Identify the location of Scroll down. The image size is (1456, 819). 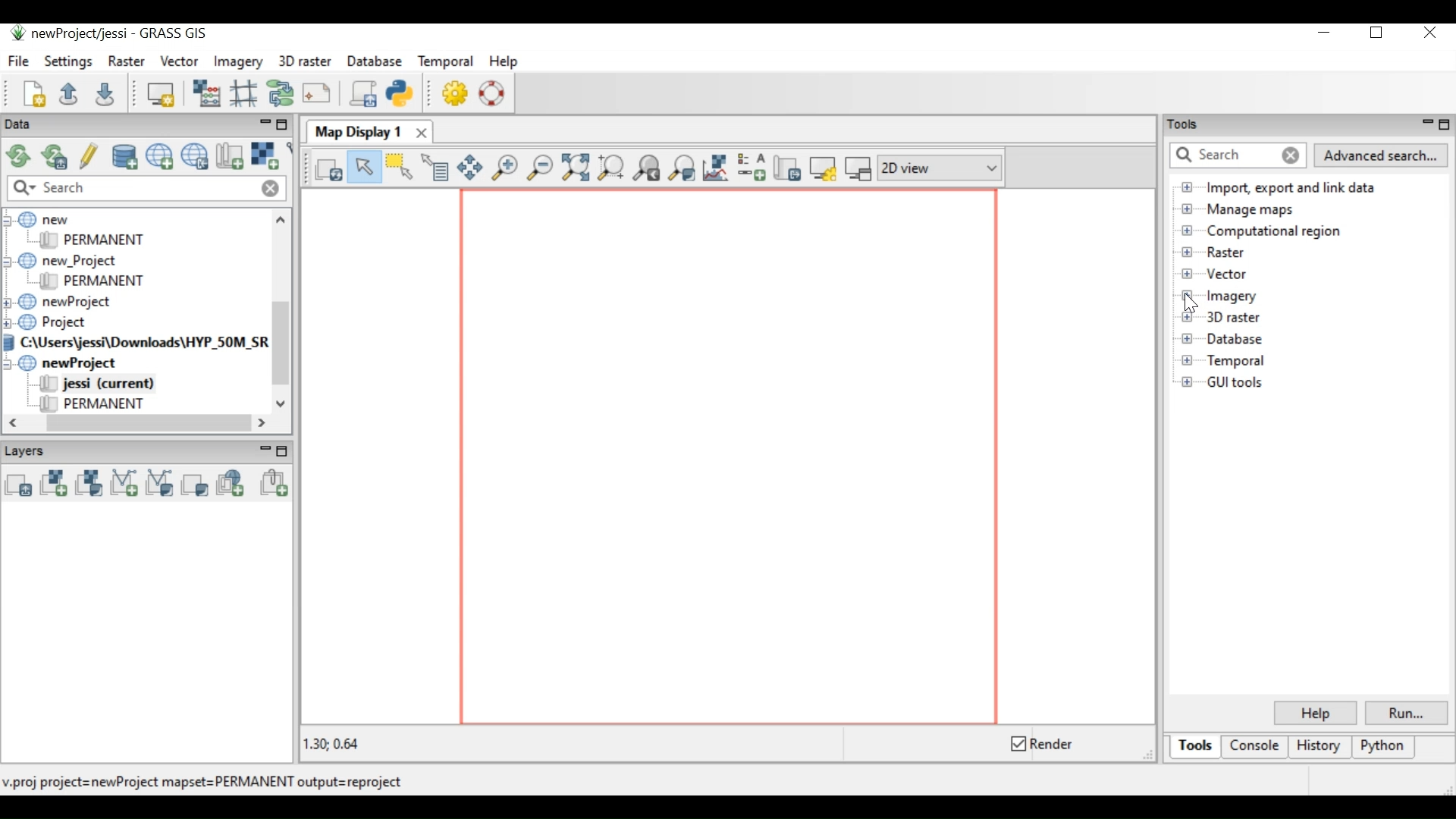
(281, 402).